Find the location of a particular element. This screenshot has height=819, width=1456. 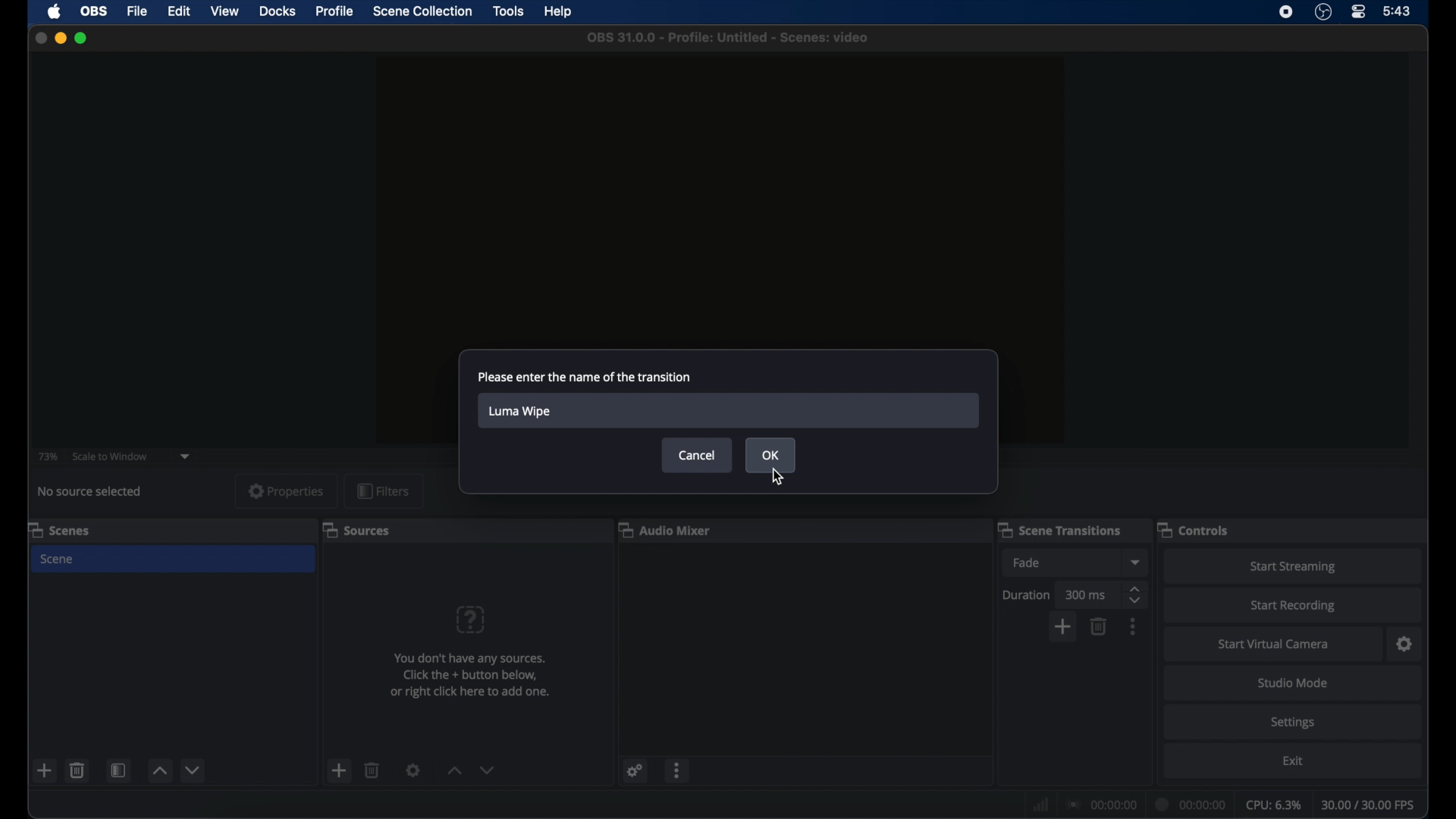

delete is located at coordinates (77, 771).